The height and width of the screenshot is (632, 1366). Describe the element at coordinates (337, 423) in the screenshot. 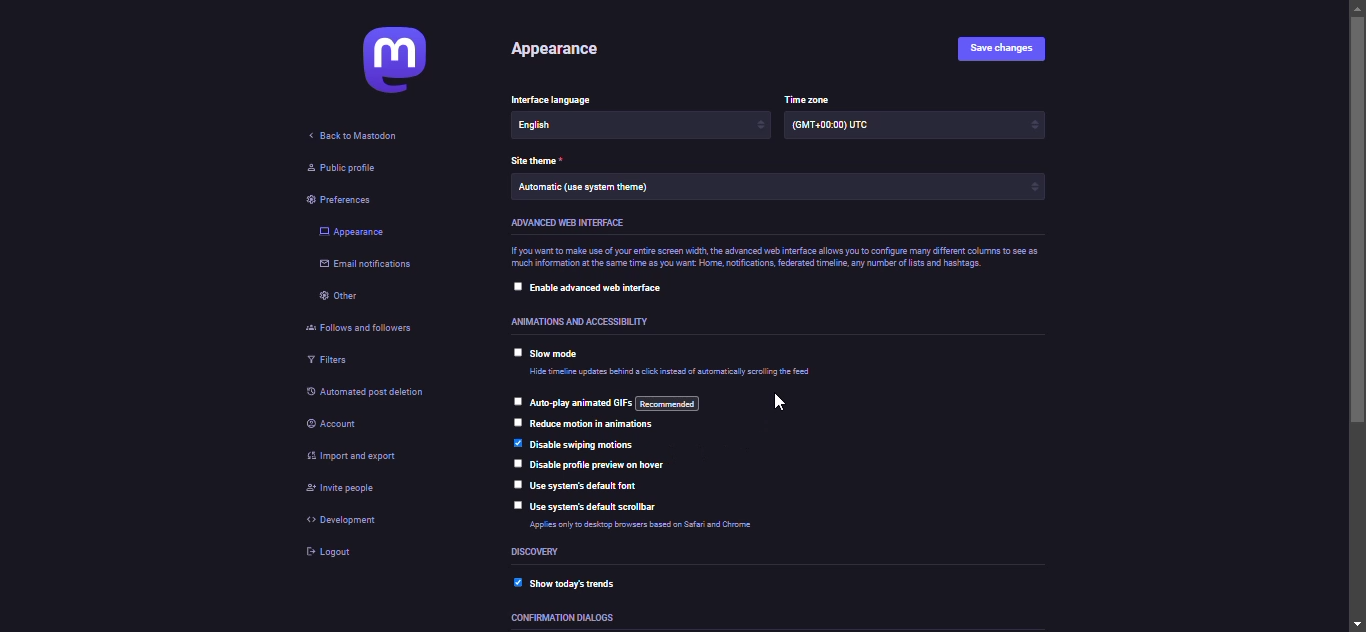

I see `account` at that location.